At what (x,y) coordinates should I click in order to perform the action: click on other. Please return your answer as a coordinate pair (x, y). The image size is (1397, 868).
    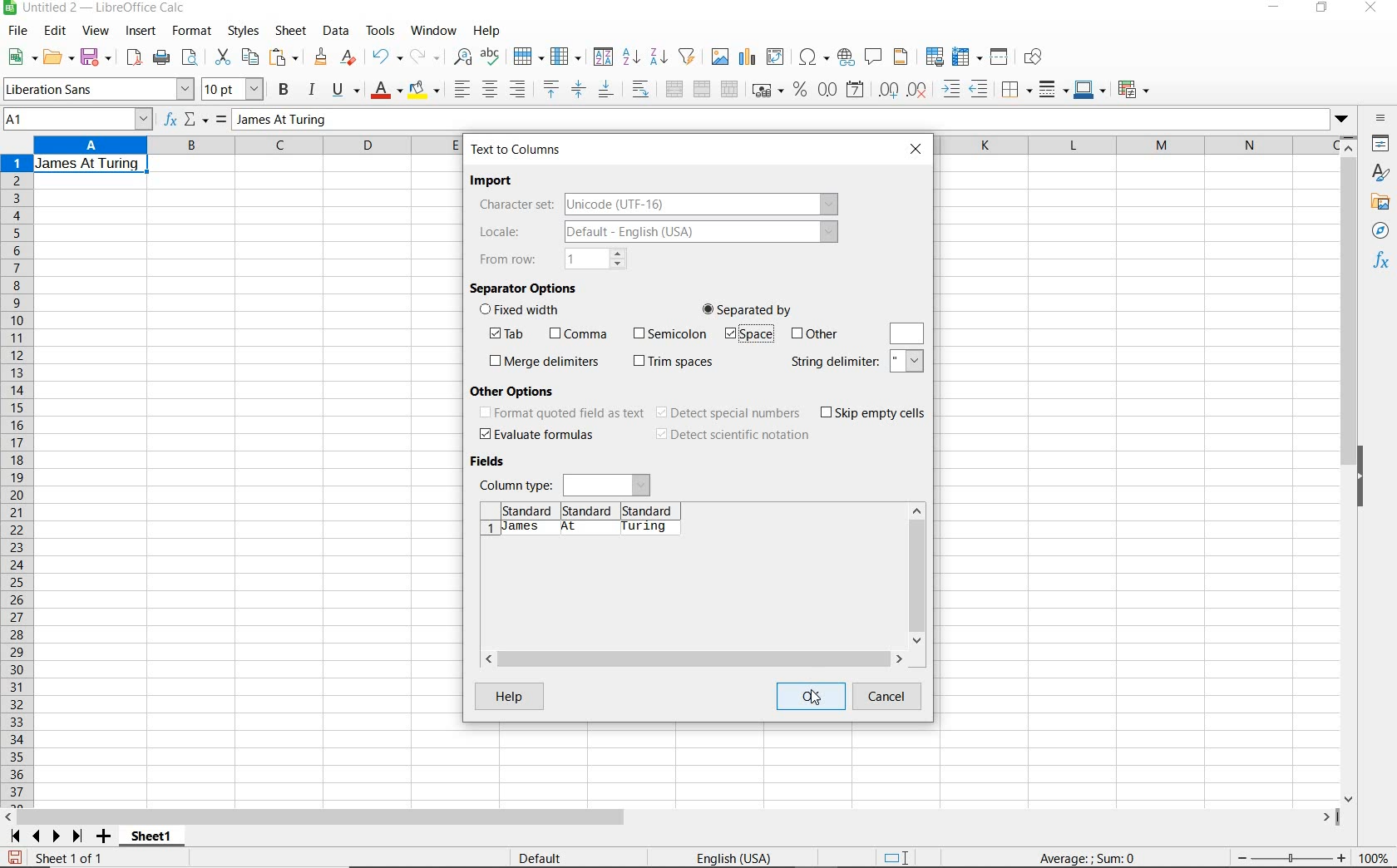
    Looking at the image, I should click on (814, 334).